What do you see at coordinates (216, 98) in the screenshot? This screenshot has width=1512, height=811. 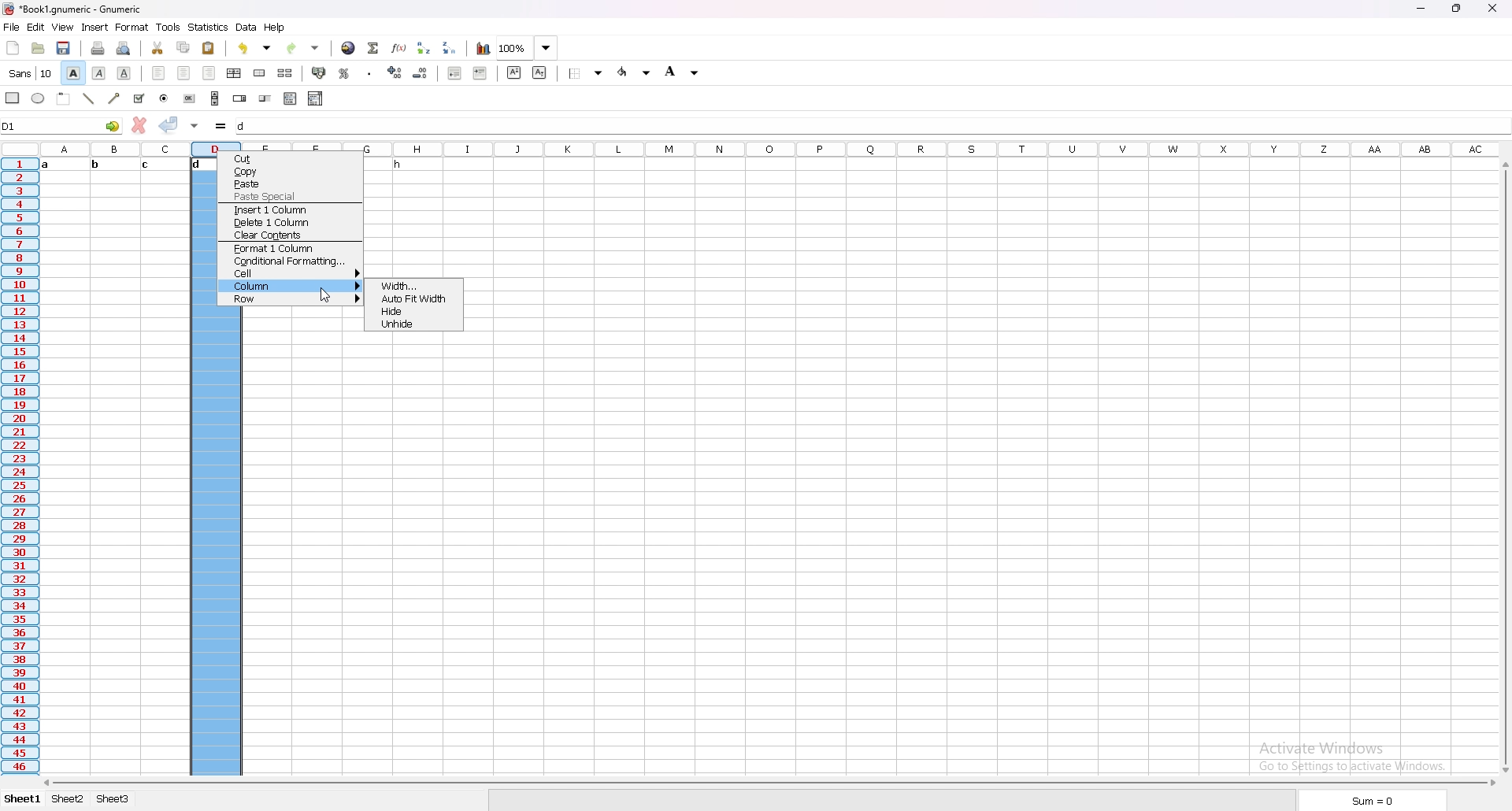 I see `scroll bar` at bounding box center [216, 98].